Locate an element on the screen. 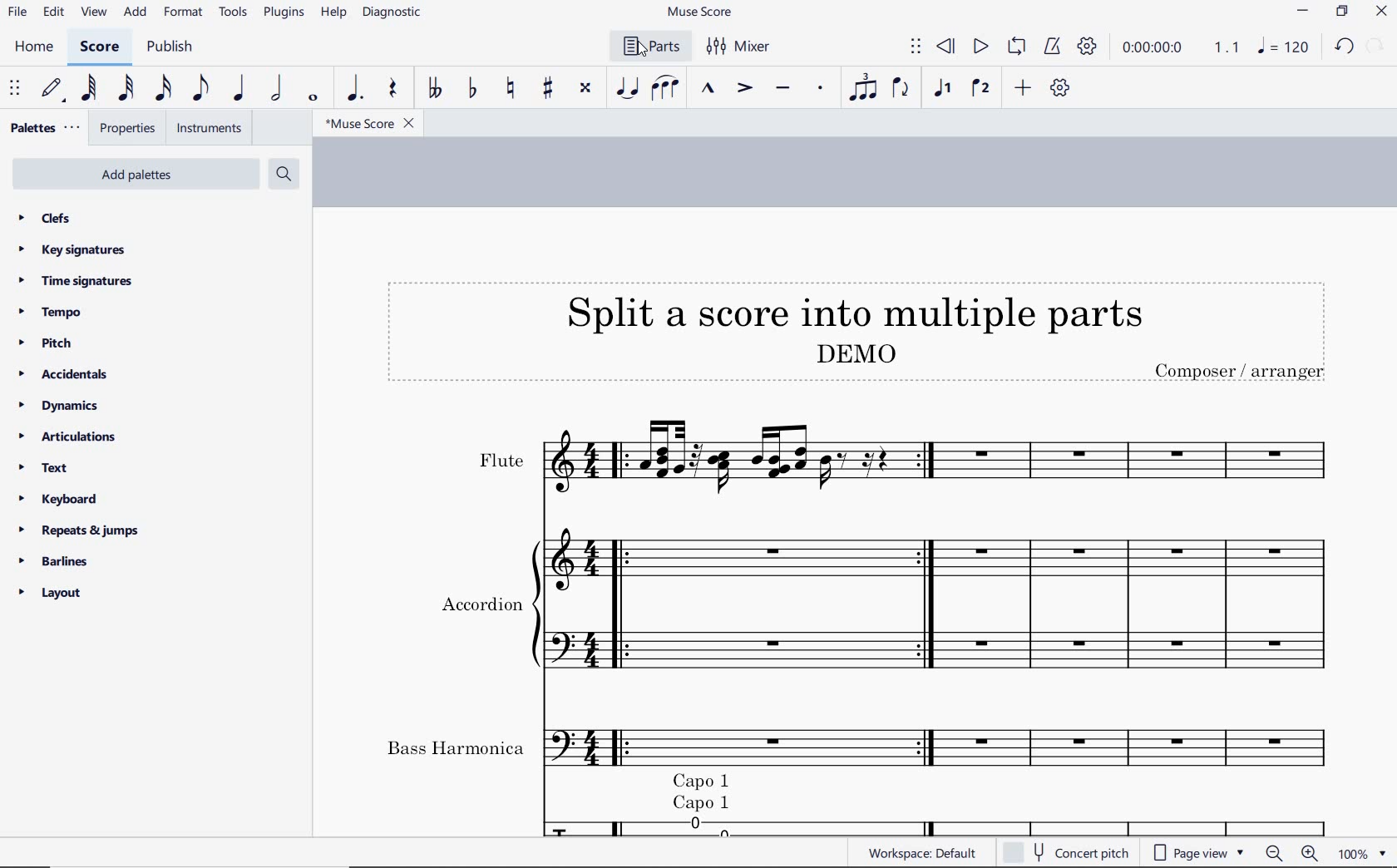  MINIMIZE is located at coordinates (1304, 12).